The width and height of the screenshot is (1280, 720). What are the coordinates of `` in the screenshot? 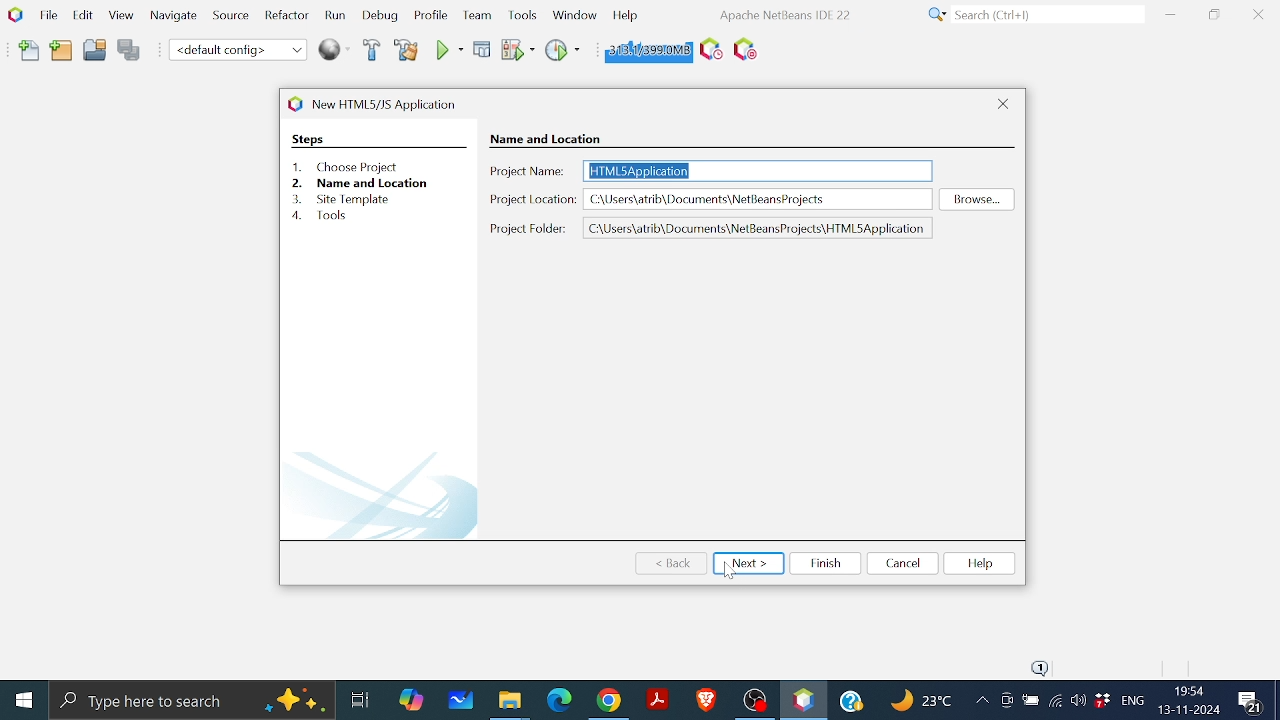 It's located at (1078, 699).